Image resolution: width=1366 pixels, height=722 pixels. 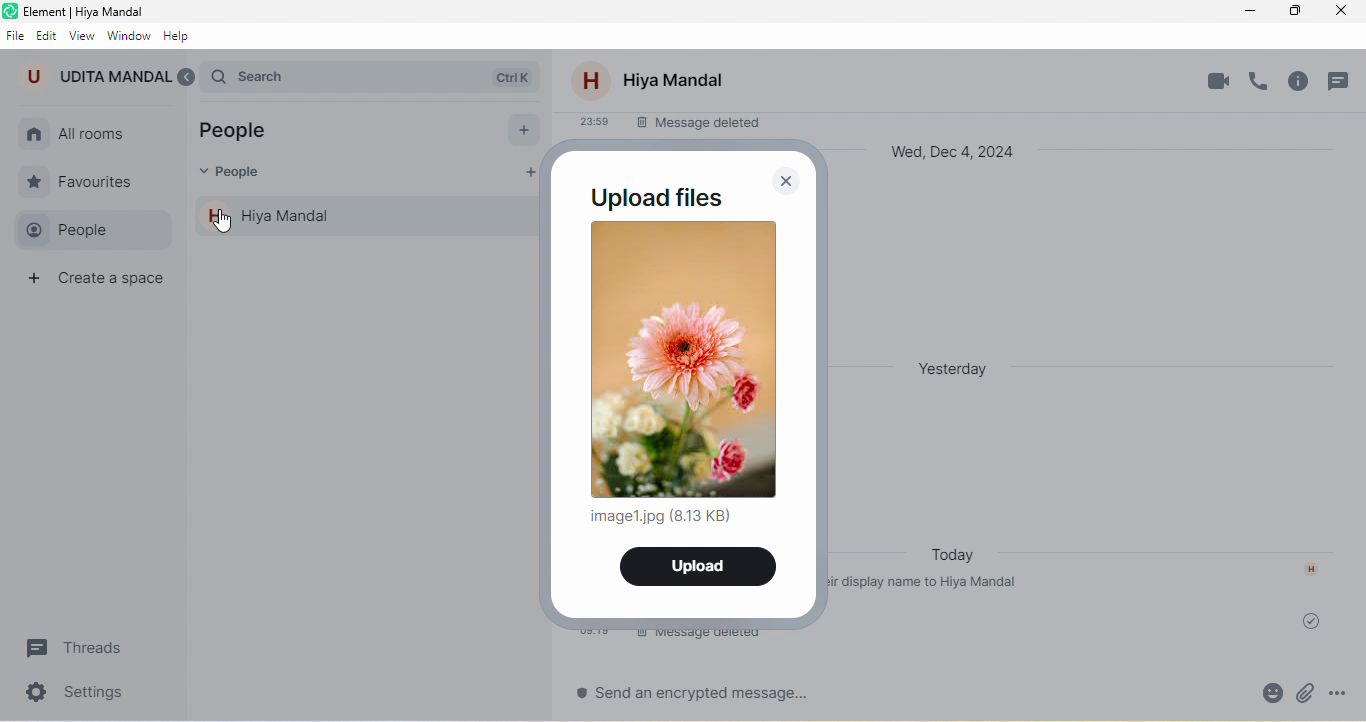 I want to click on maximize, so click(x=1300, y=11).